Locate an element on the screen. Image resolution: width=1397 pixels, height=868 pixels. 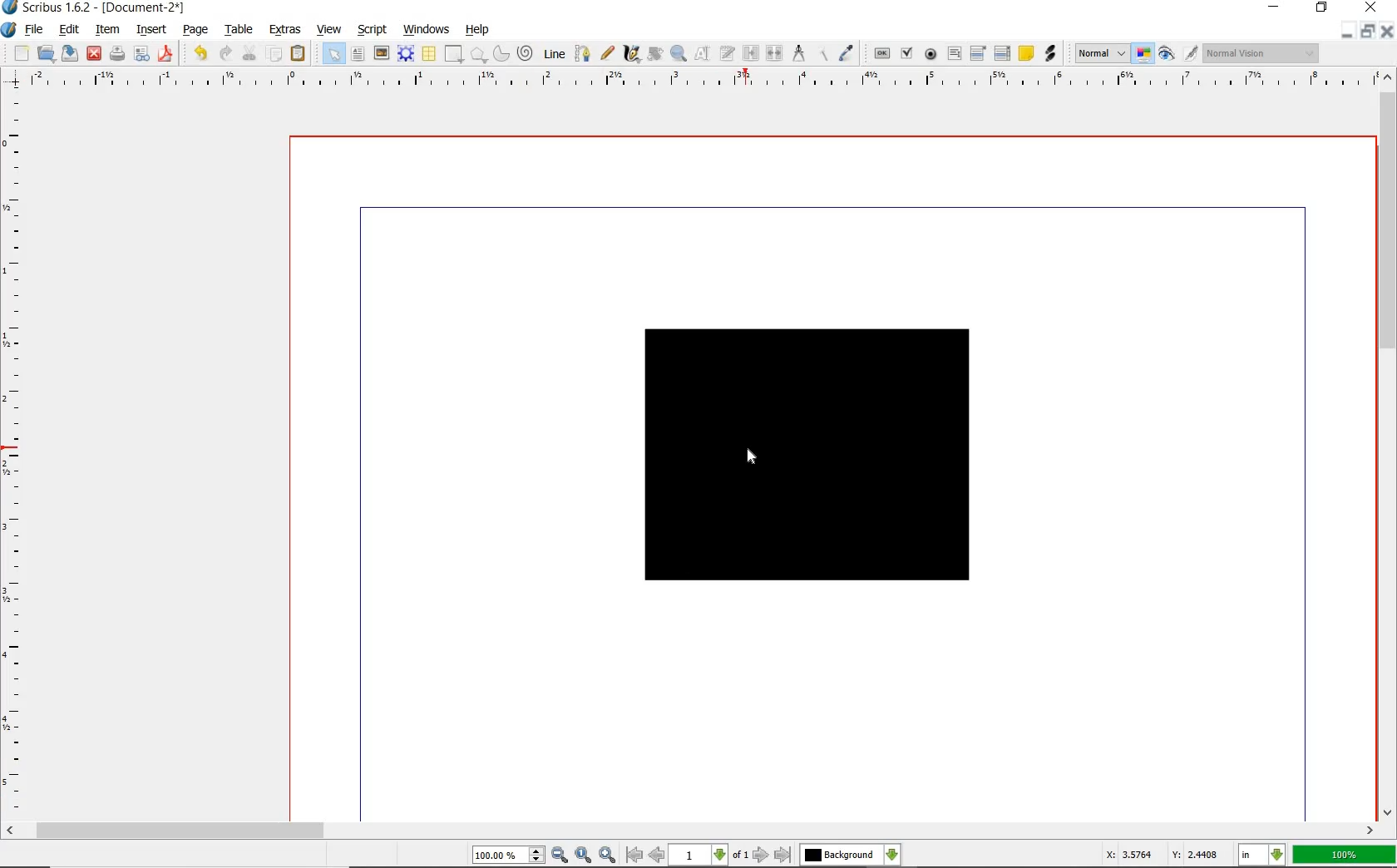
link text frames is located at coordinates (749, 55).